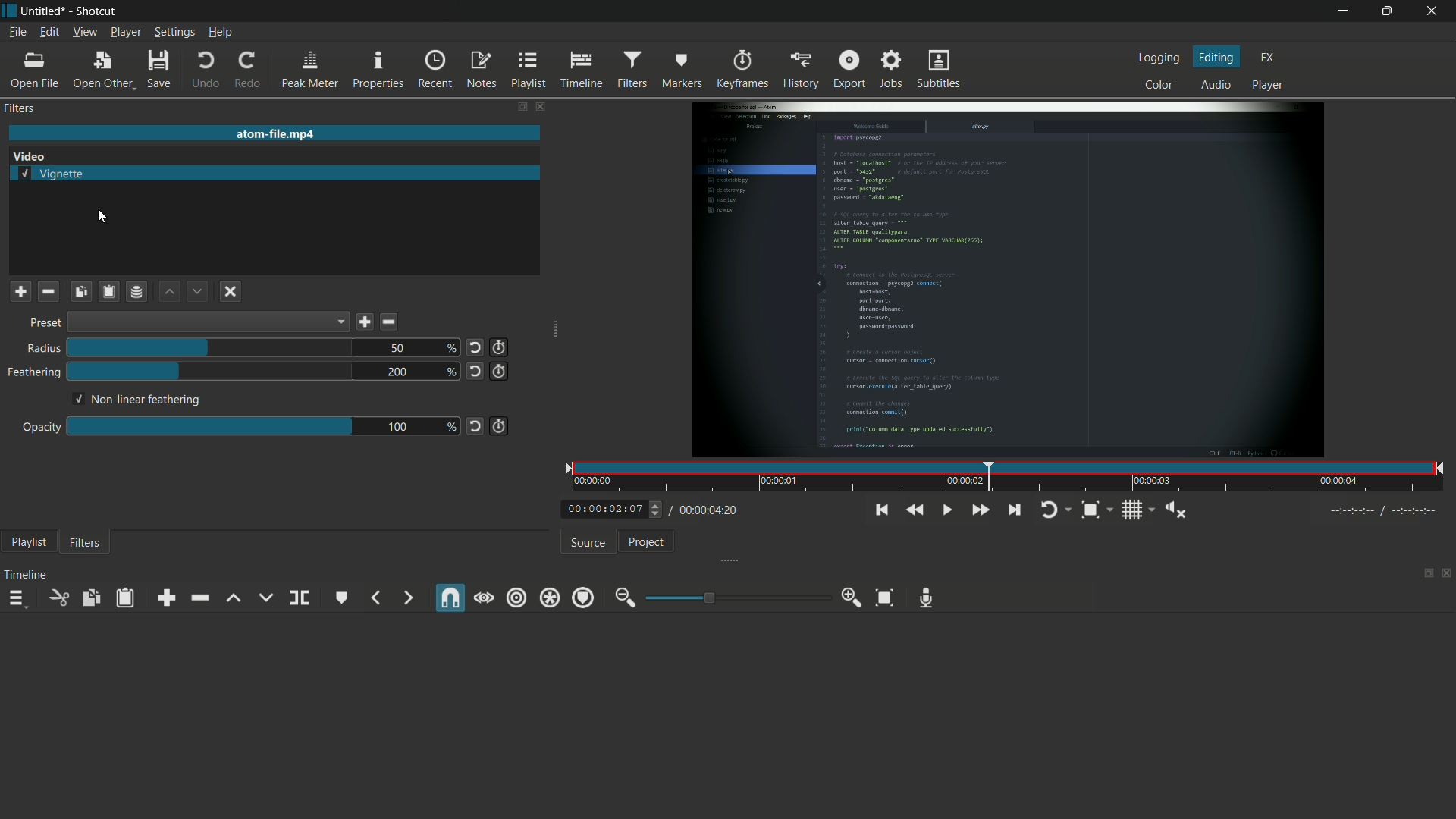  I want to click on timeline menu, so click(16, 598).